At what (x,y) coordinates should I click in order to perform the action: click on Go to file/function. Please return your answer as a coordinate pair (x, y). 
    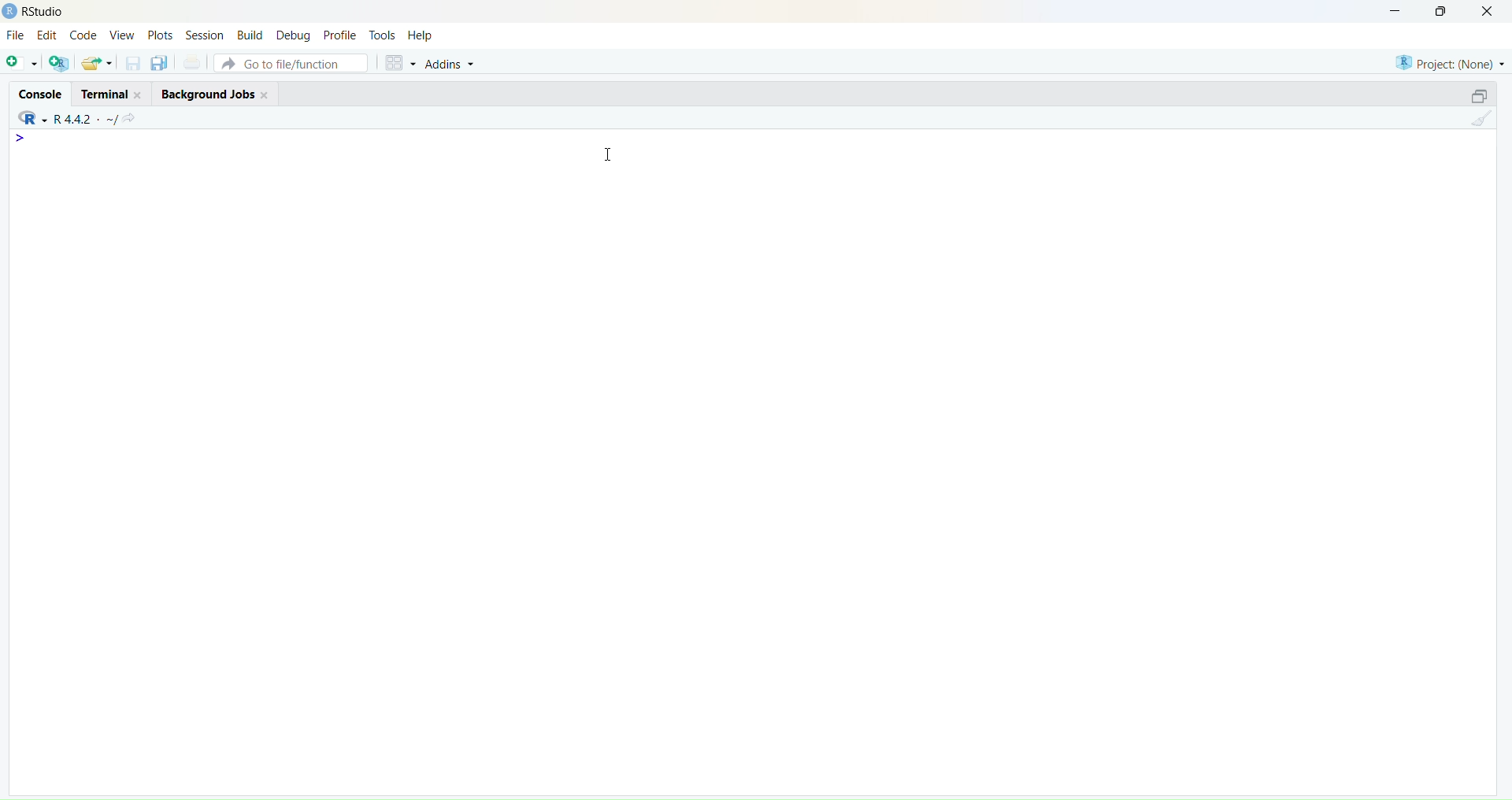
    Looking at the image, I should click on (290, 62).